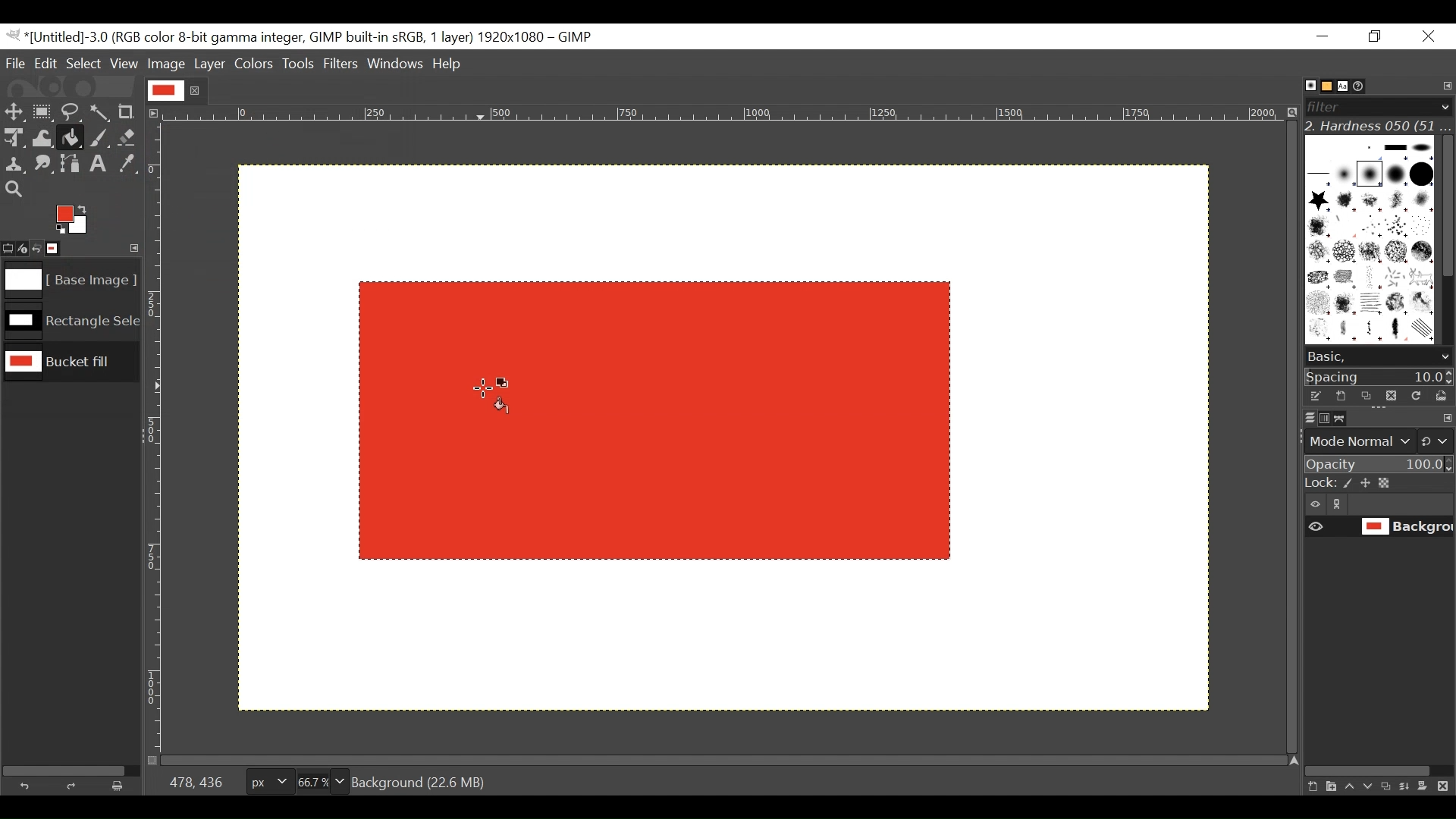 The height and width of the screenshot is (819, 1456). Describe the element at coordinates (17, 63) in the screenshot. I see `File` at that location.